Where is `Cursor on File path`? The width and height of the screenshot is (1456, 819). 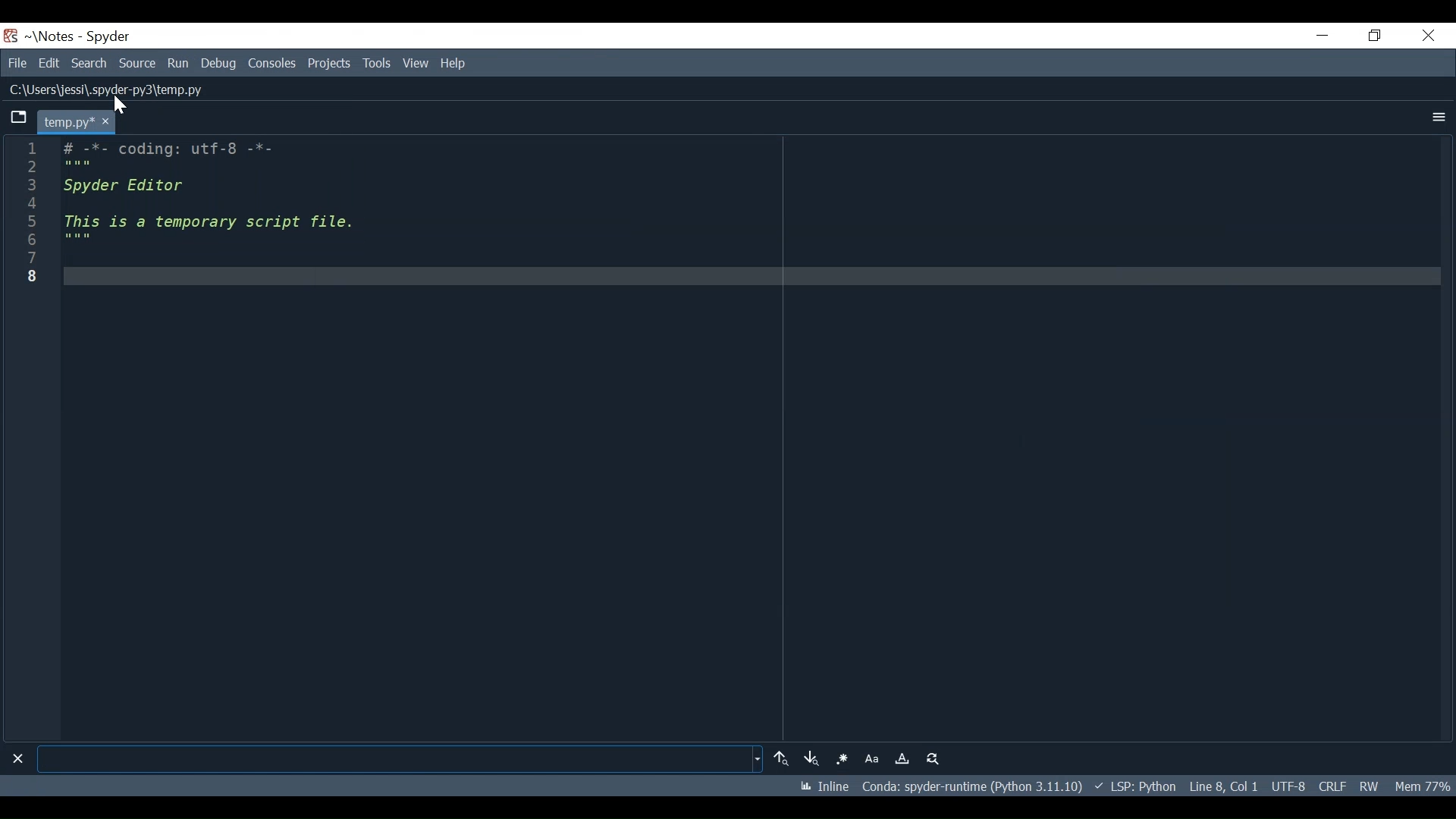
Cursor on File path is located at coordinates (124, 108).